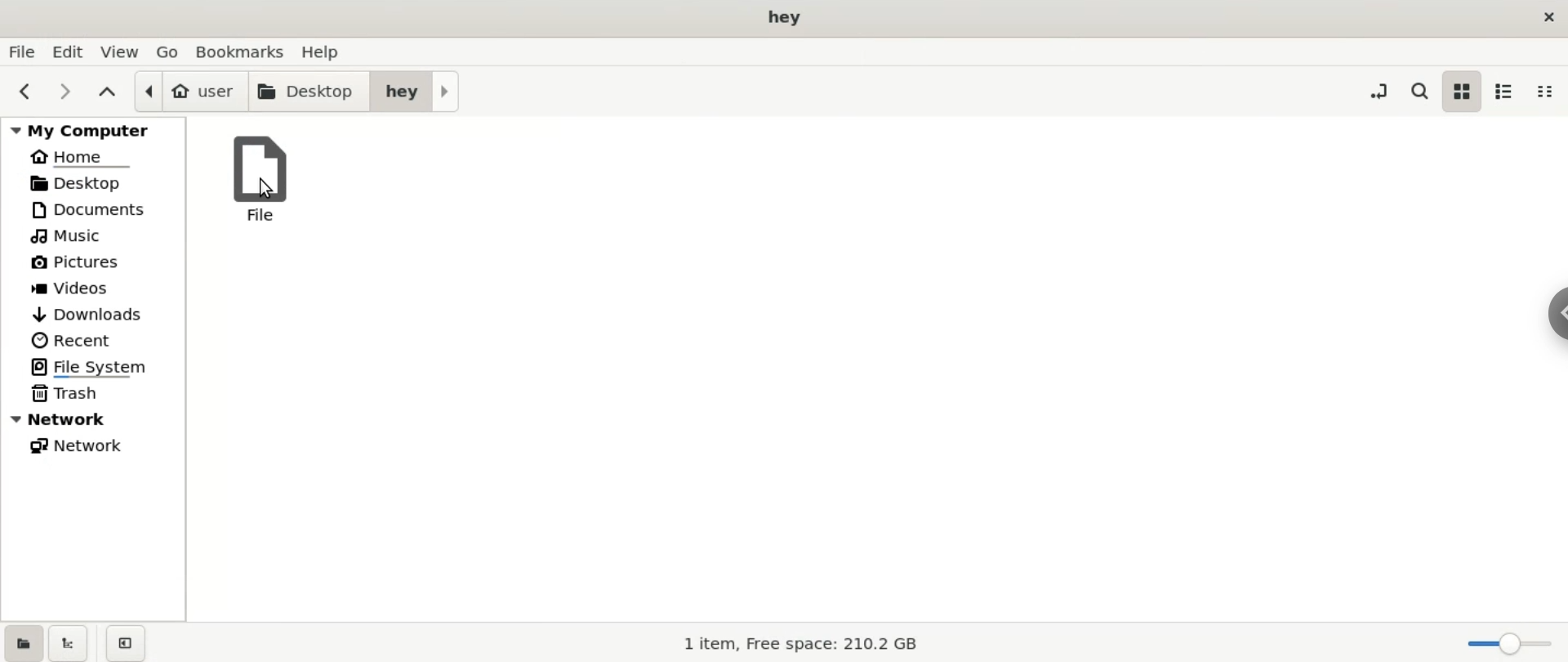  I want to click on show places, so click(21, 643).